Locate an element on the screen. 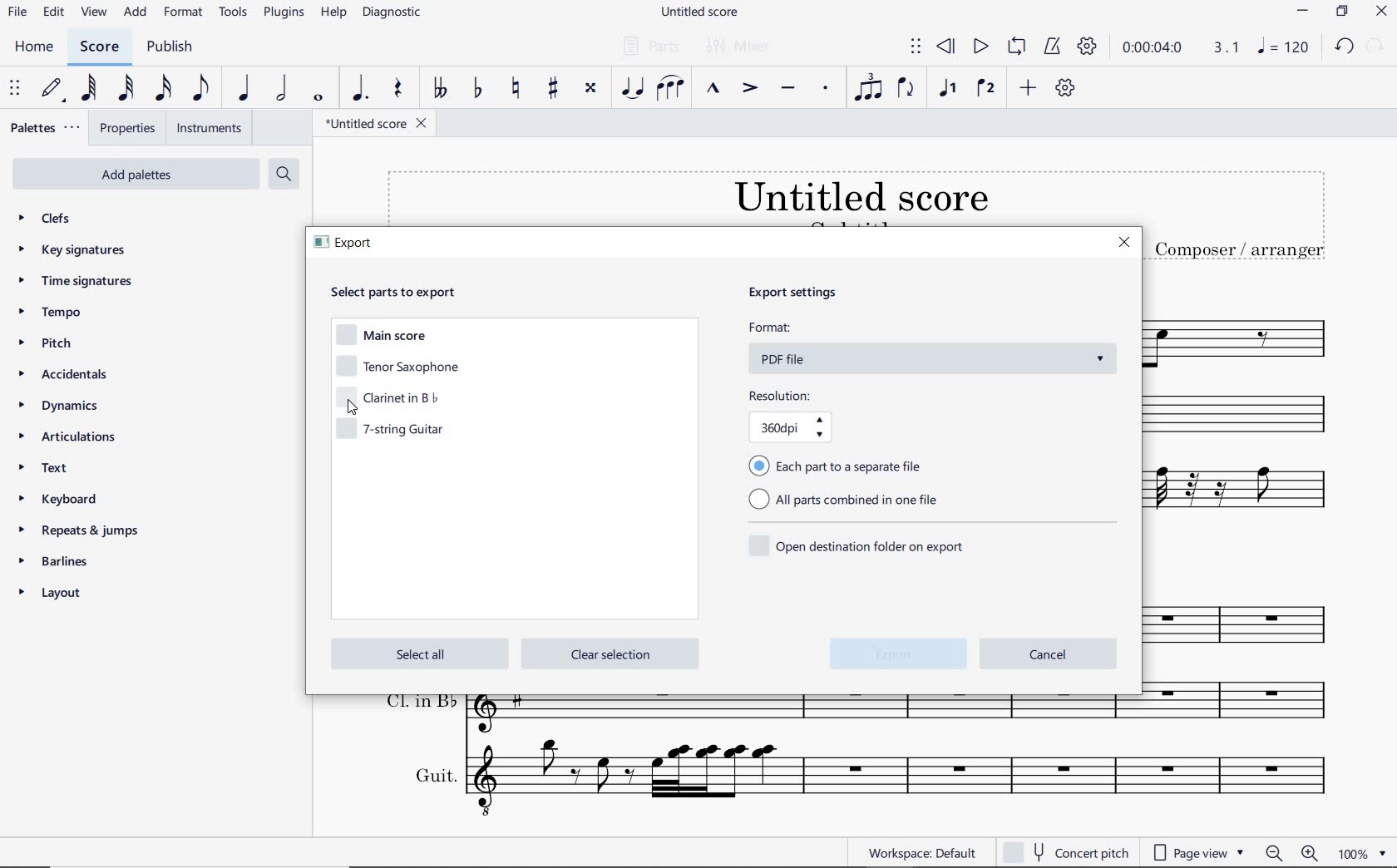 The width and height of the screenshot is (1397, 868). time signatures is located at coordinates (77, 283).